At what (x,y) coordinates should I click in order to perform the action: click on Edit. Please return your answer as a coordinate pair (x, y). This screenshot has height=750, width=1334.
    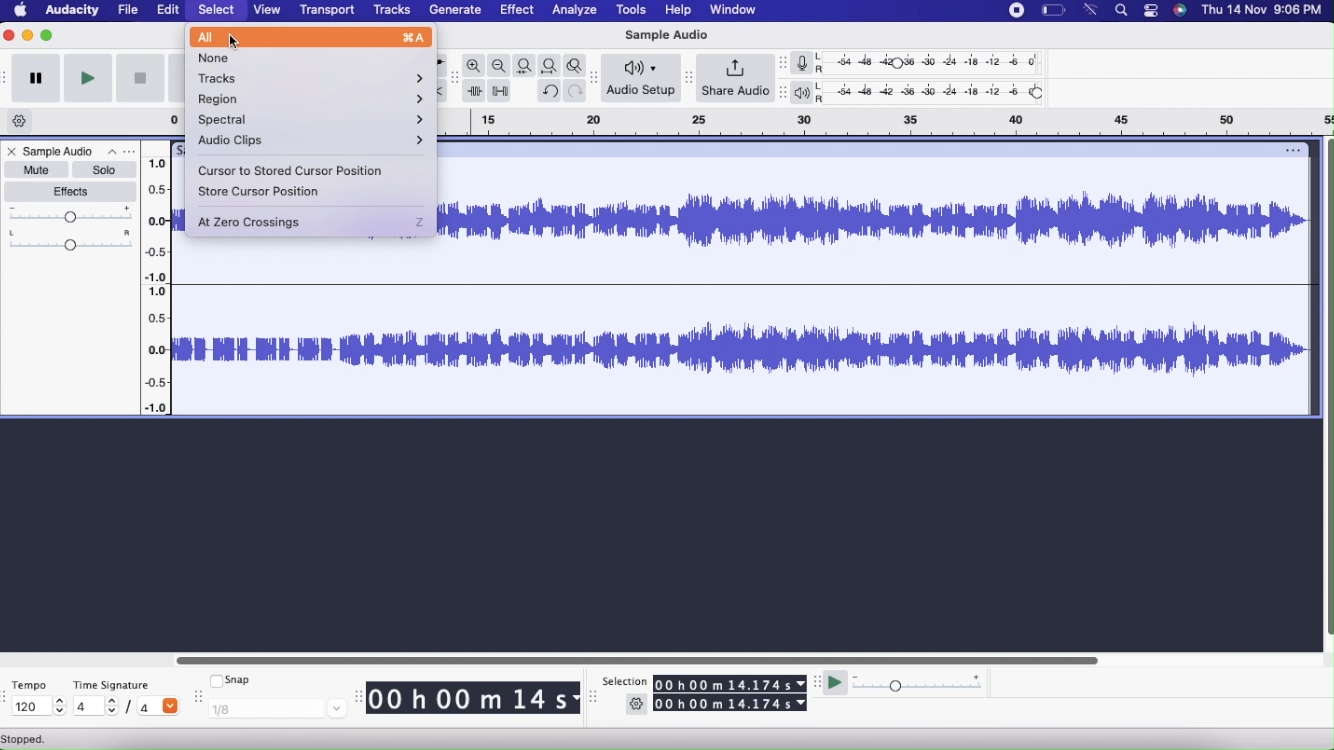
    Looking at the image, I should click on (168, 10).